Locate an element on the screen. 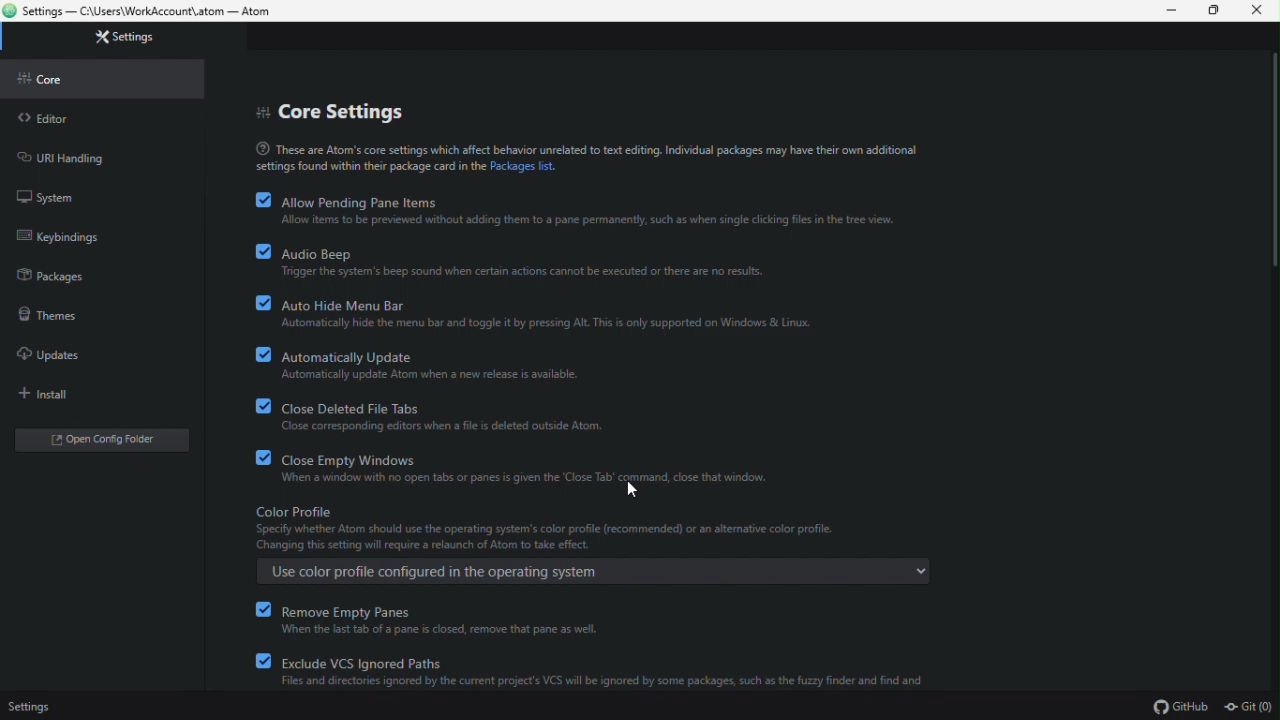 The height and width of the screenshot is (720, 1280). settings is located at coordinates (35, 705).